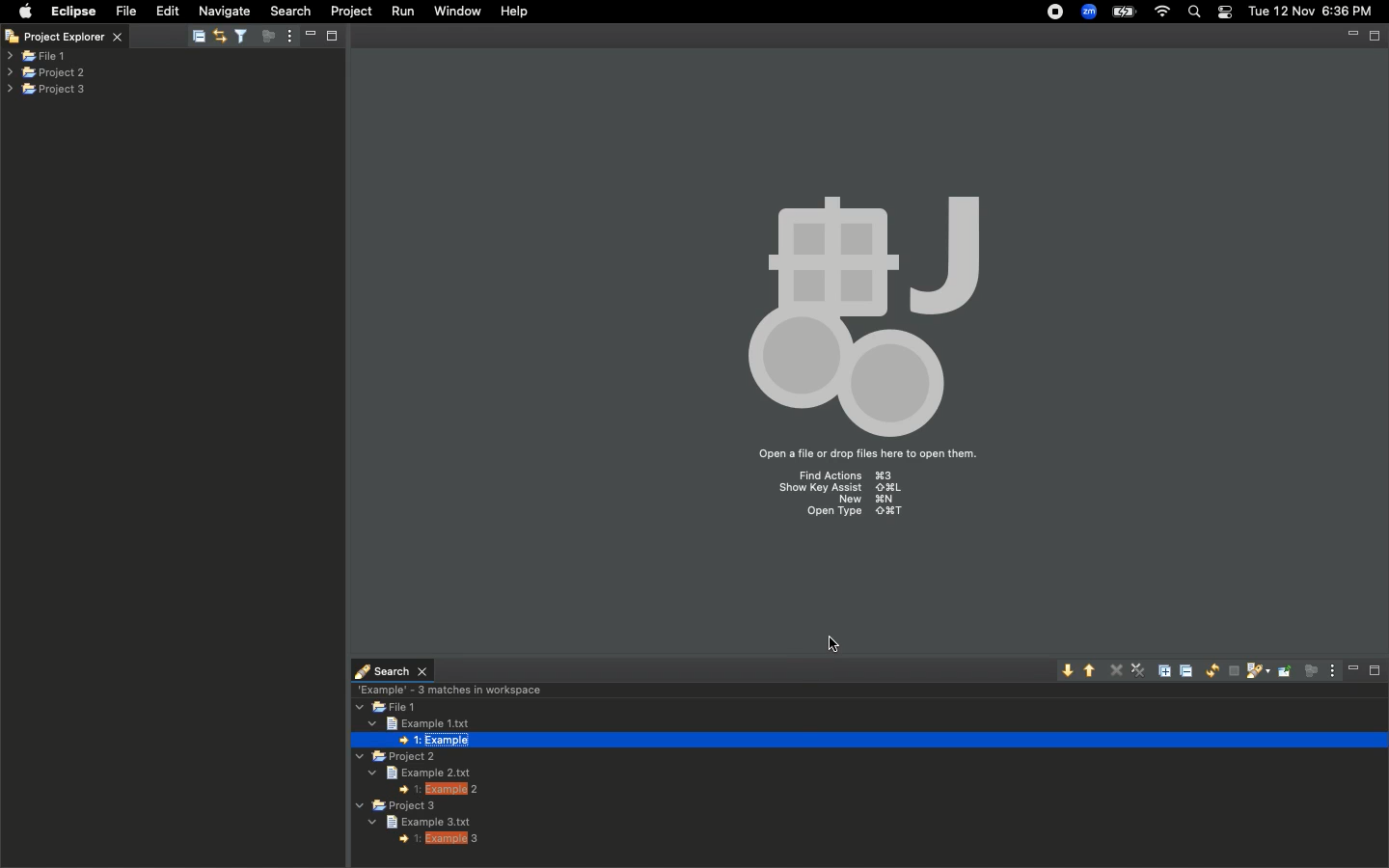 The image size is (1389, 868). What do you see at coordinates (389, 708) in the screenshot?
I see `File 1` at bounding box center [389, 708].